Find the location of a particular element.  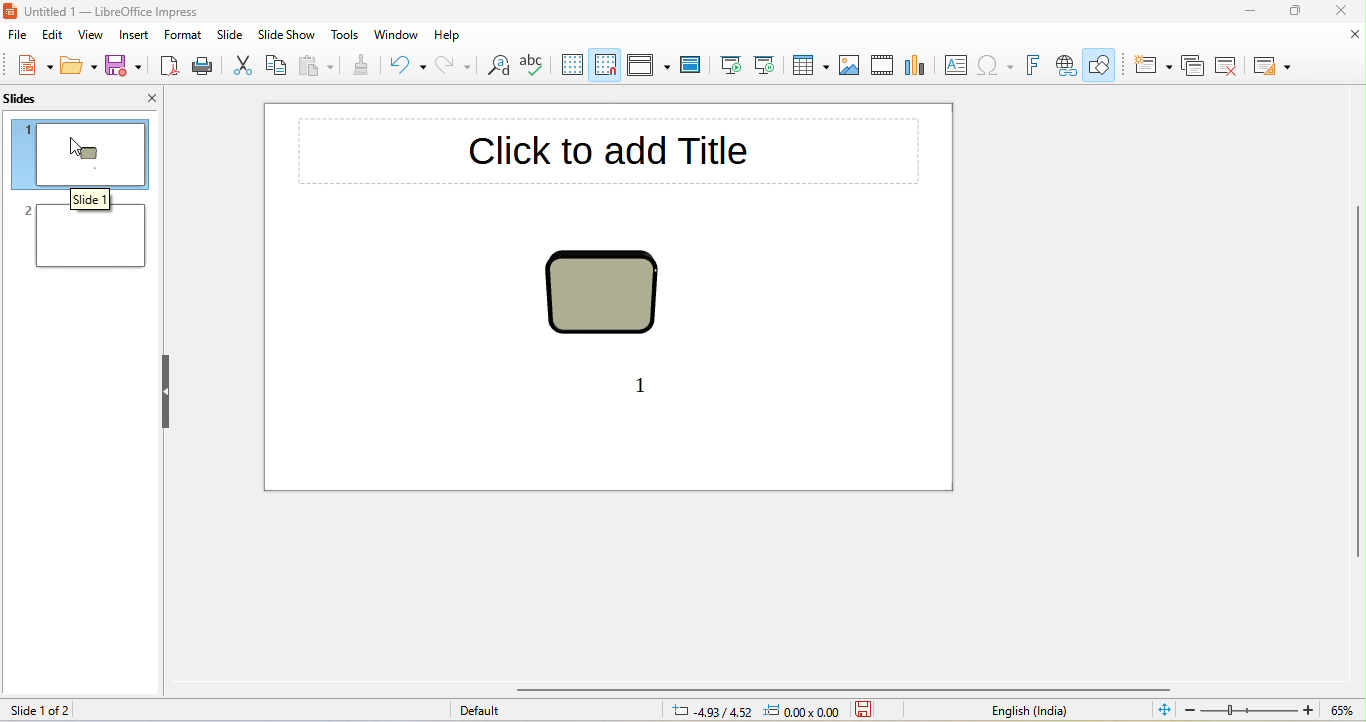

close is located at coordinates (140, 97).